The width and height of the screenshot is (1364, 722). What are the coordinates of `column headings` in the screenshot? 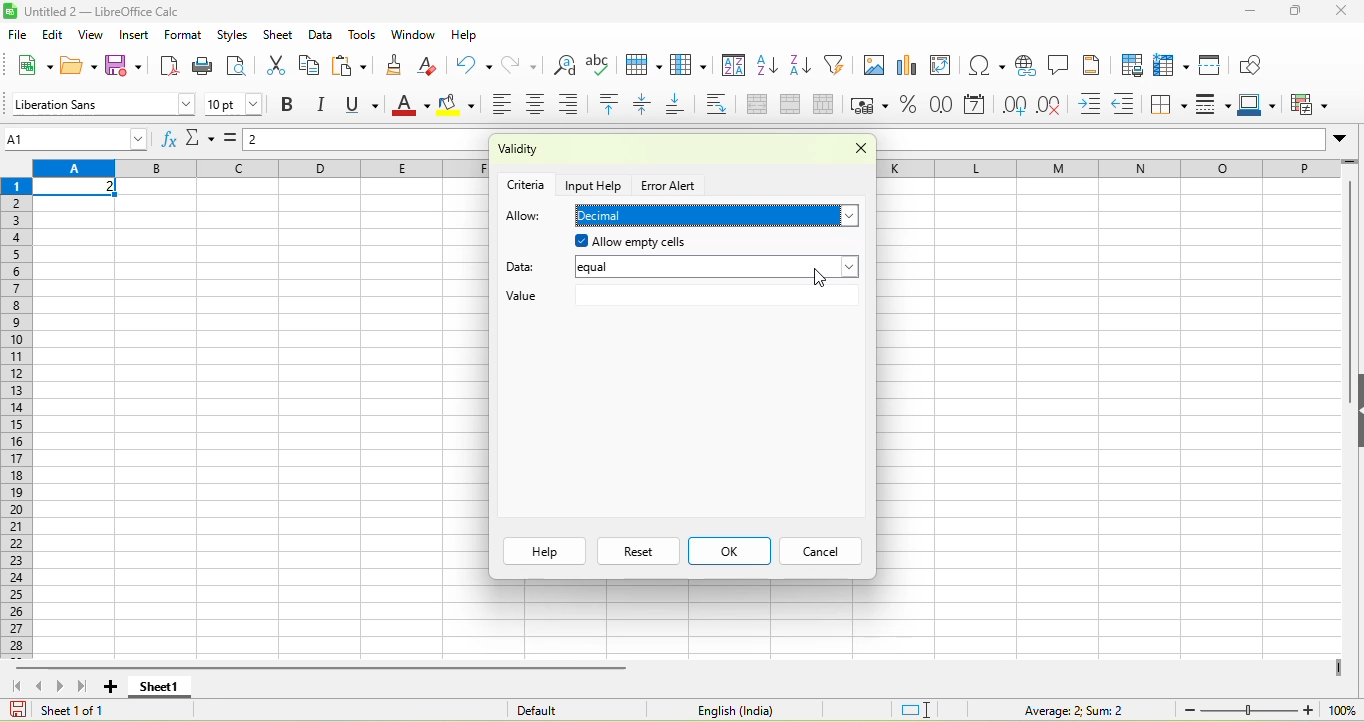 It's located at (260, 169).